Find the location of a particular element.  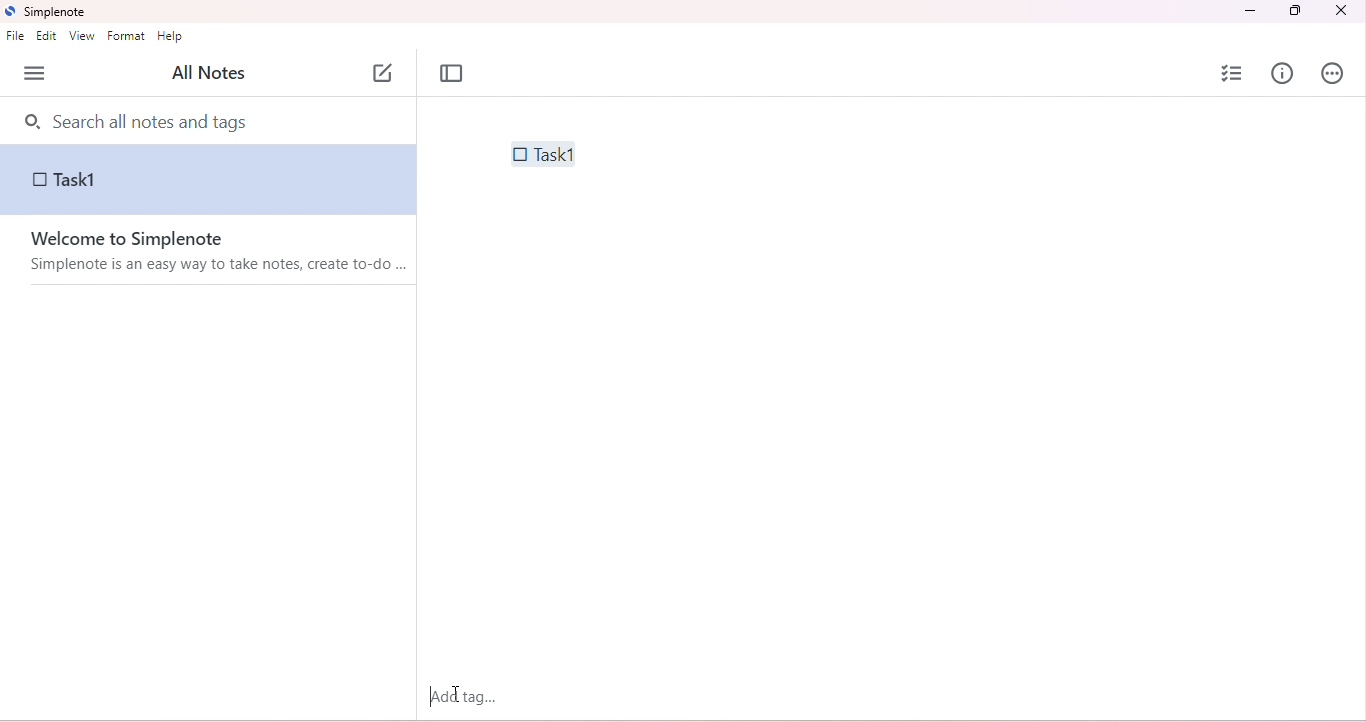

menu is located at coordinates (35, 74).